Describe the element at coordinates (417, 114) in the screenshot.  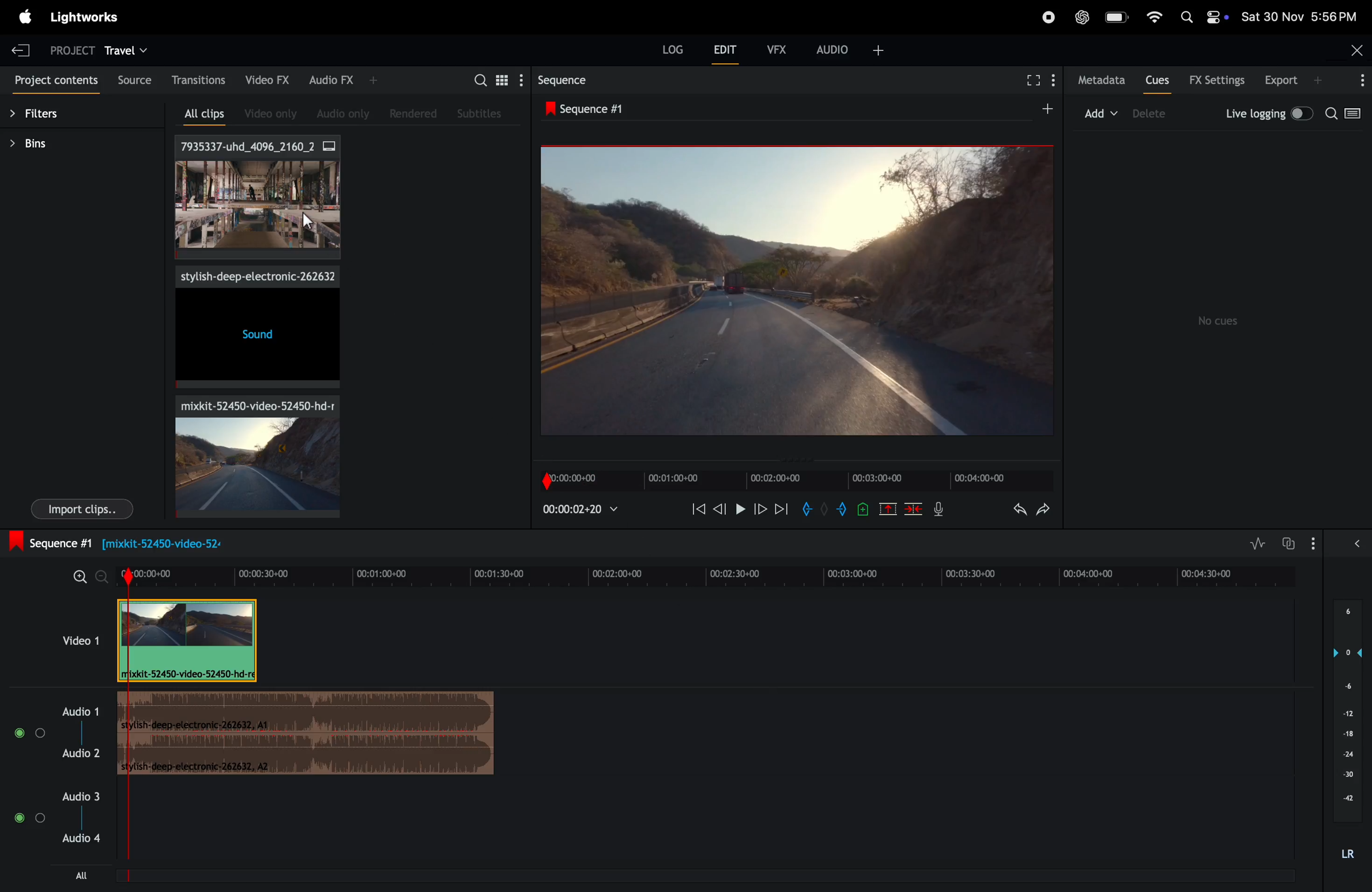
I see `rendered` at that location.